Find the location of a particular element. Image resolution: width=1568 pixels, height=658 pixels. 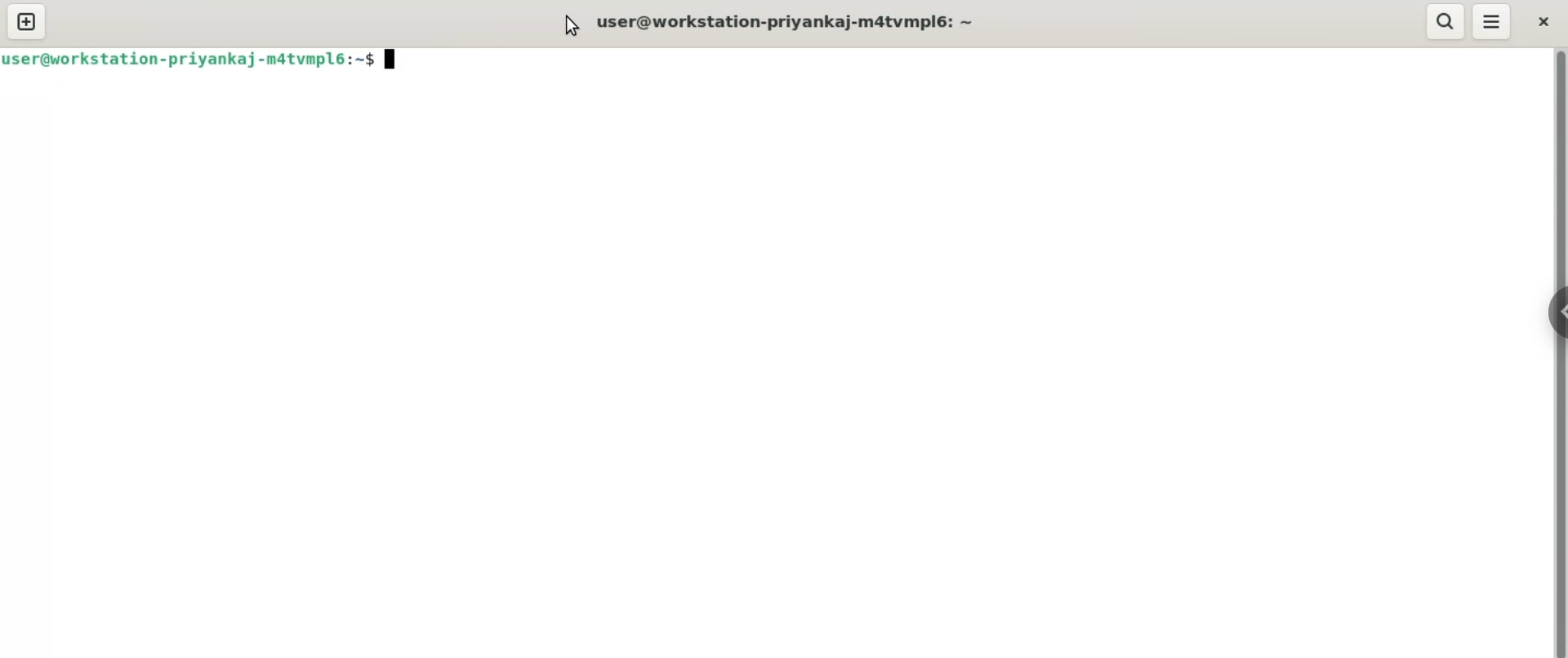

user@workstation-priyanka-m4tvmpl6:~$ is located at coordinates (207, 64).